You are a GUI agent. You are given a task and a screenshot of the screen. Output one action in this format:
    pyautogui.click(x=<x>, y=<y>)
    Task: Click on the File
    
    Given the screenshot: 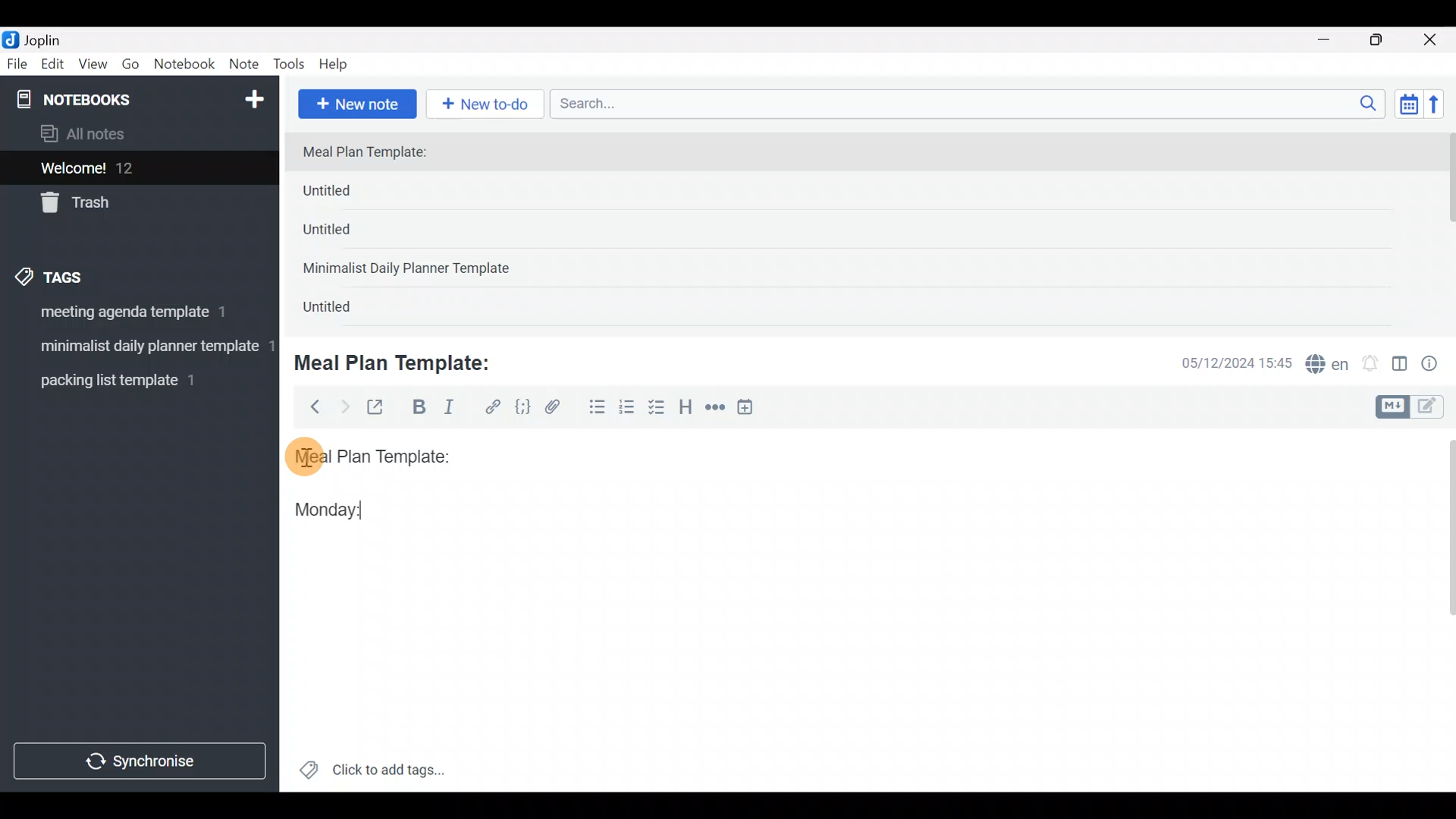 What is the action you would take?
    pyautogui.click(x=18, y=64)
    